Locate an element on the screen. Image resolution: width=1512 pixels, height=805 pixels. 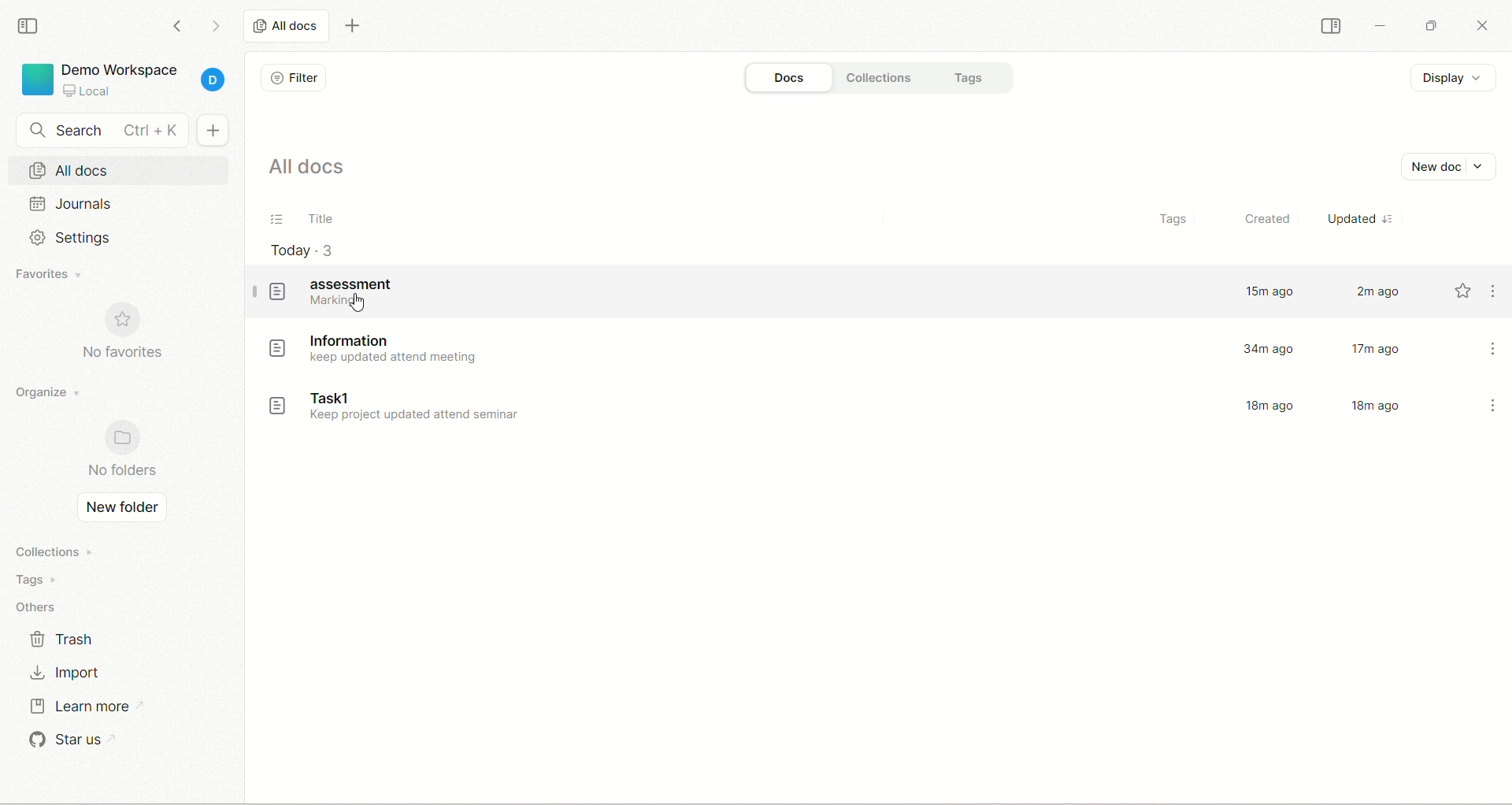
import is located at coordinates (69, 670).